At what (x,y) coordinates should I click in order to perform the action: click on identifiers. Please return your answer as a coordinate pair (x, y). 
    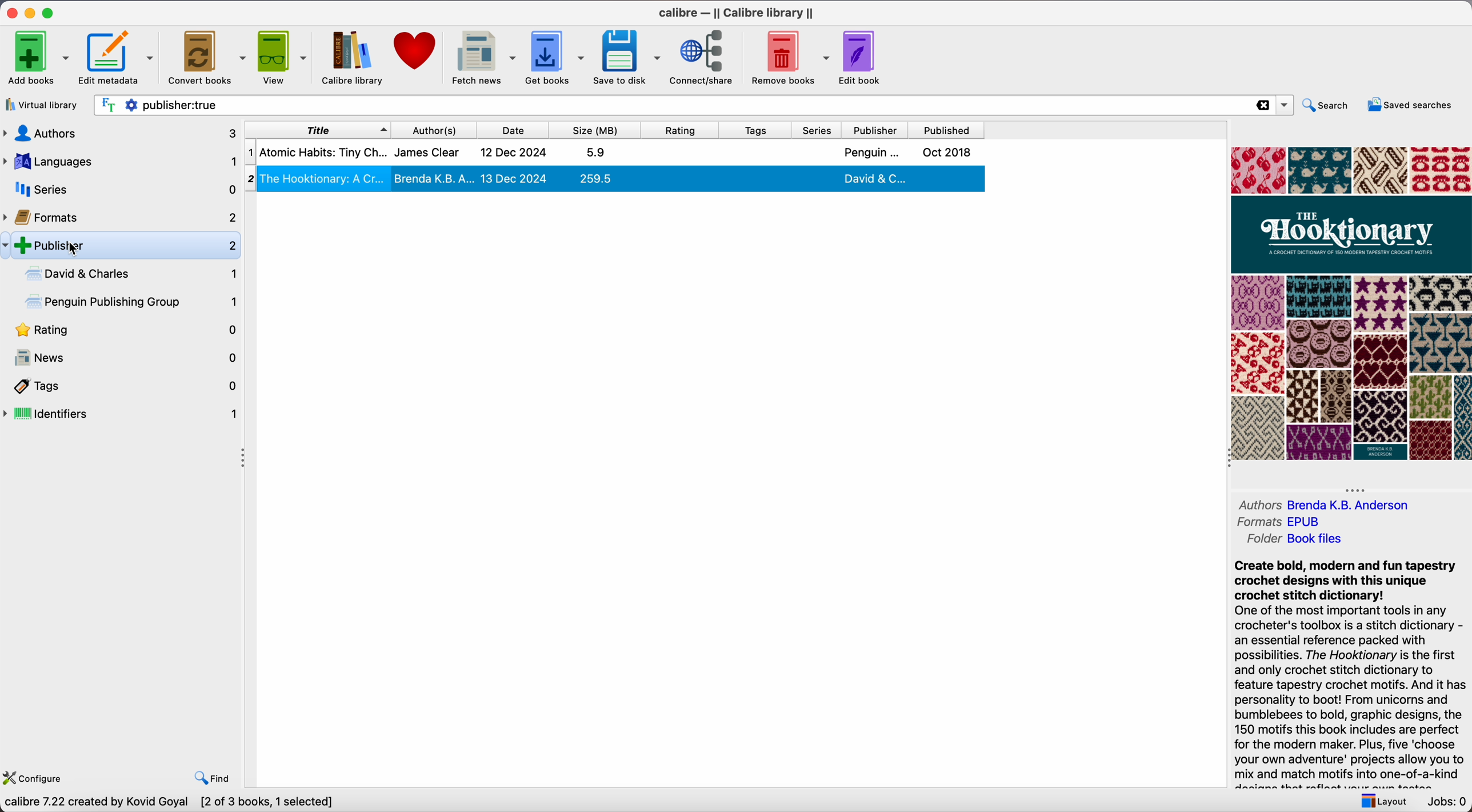
    Looking at the image, I should click on (122, 415).